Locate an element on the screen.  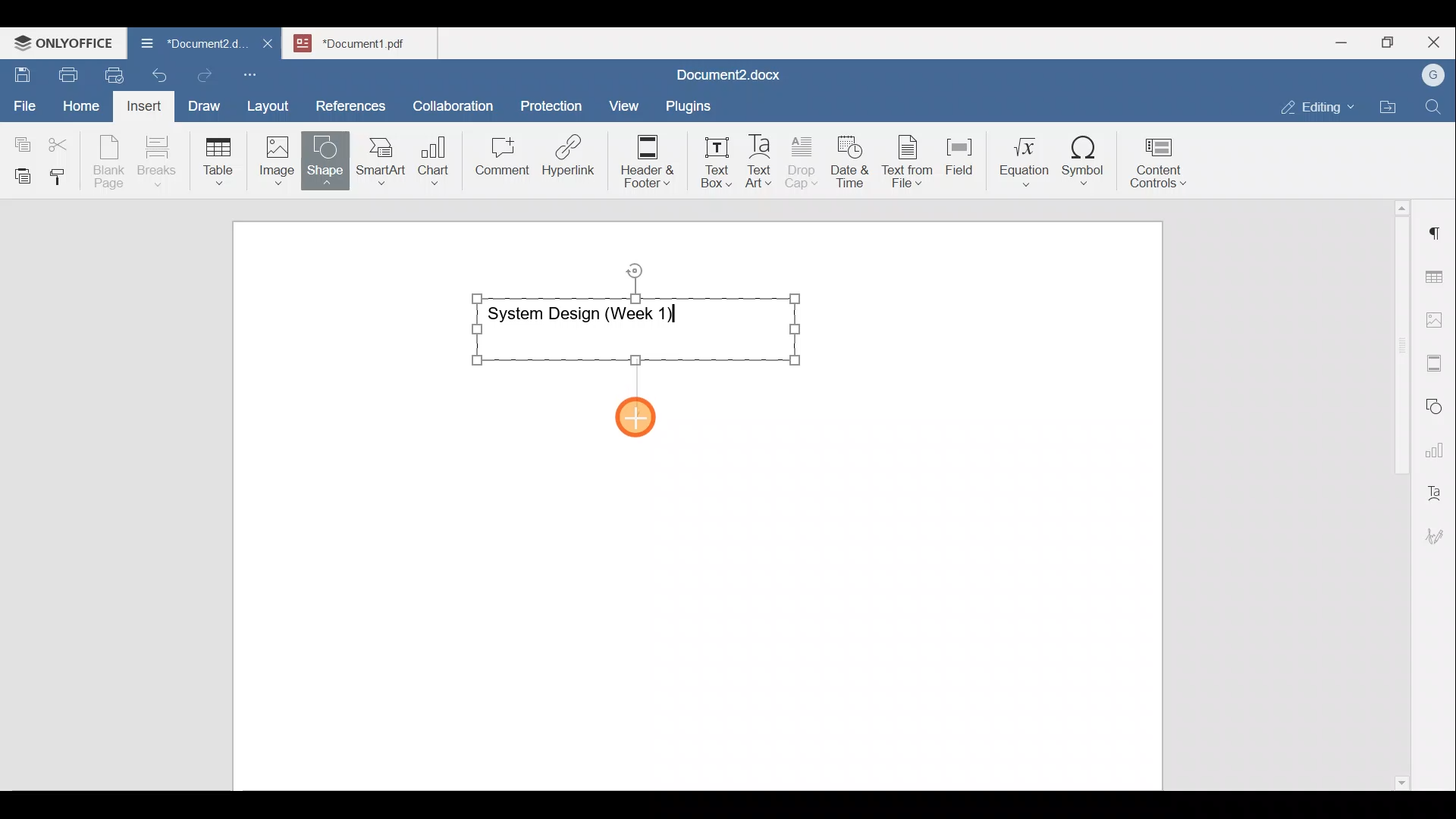
References is located at coordinates (350, 104).